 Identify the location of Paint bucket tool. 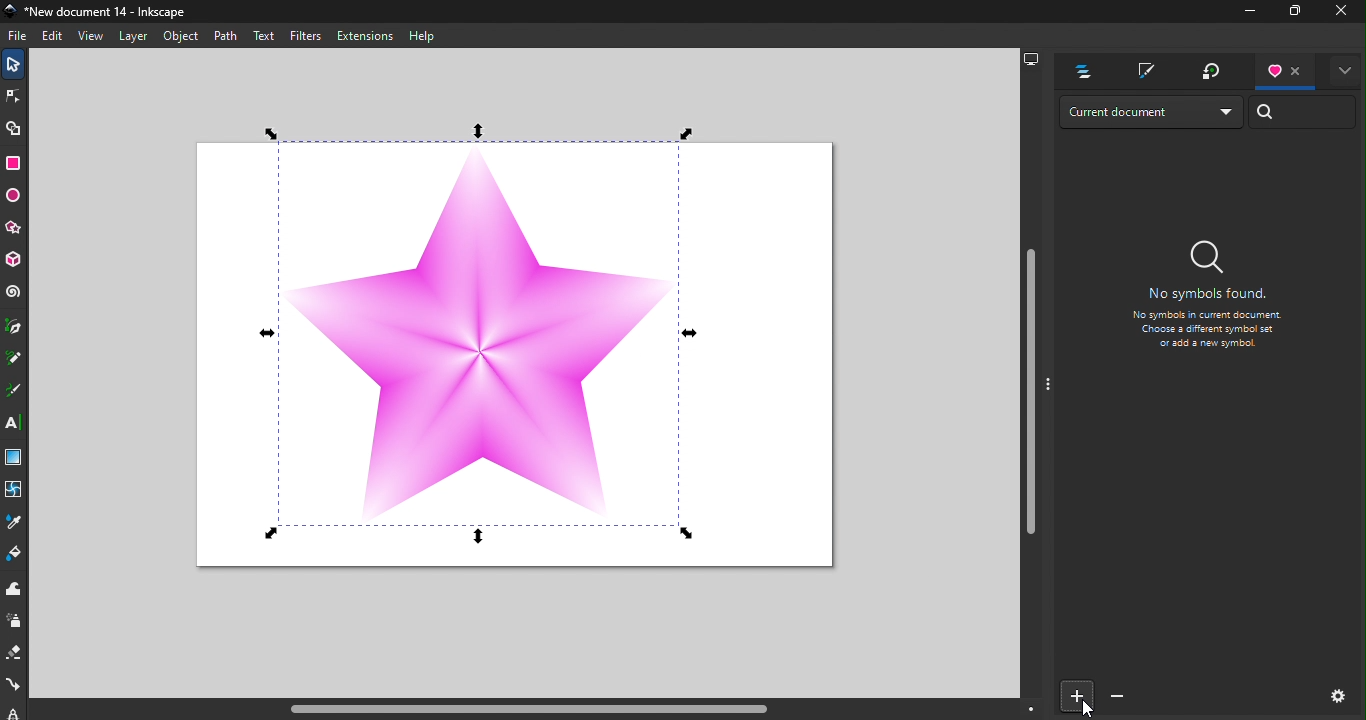
(19, 551).